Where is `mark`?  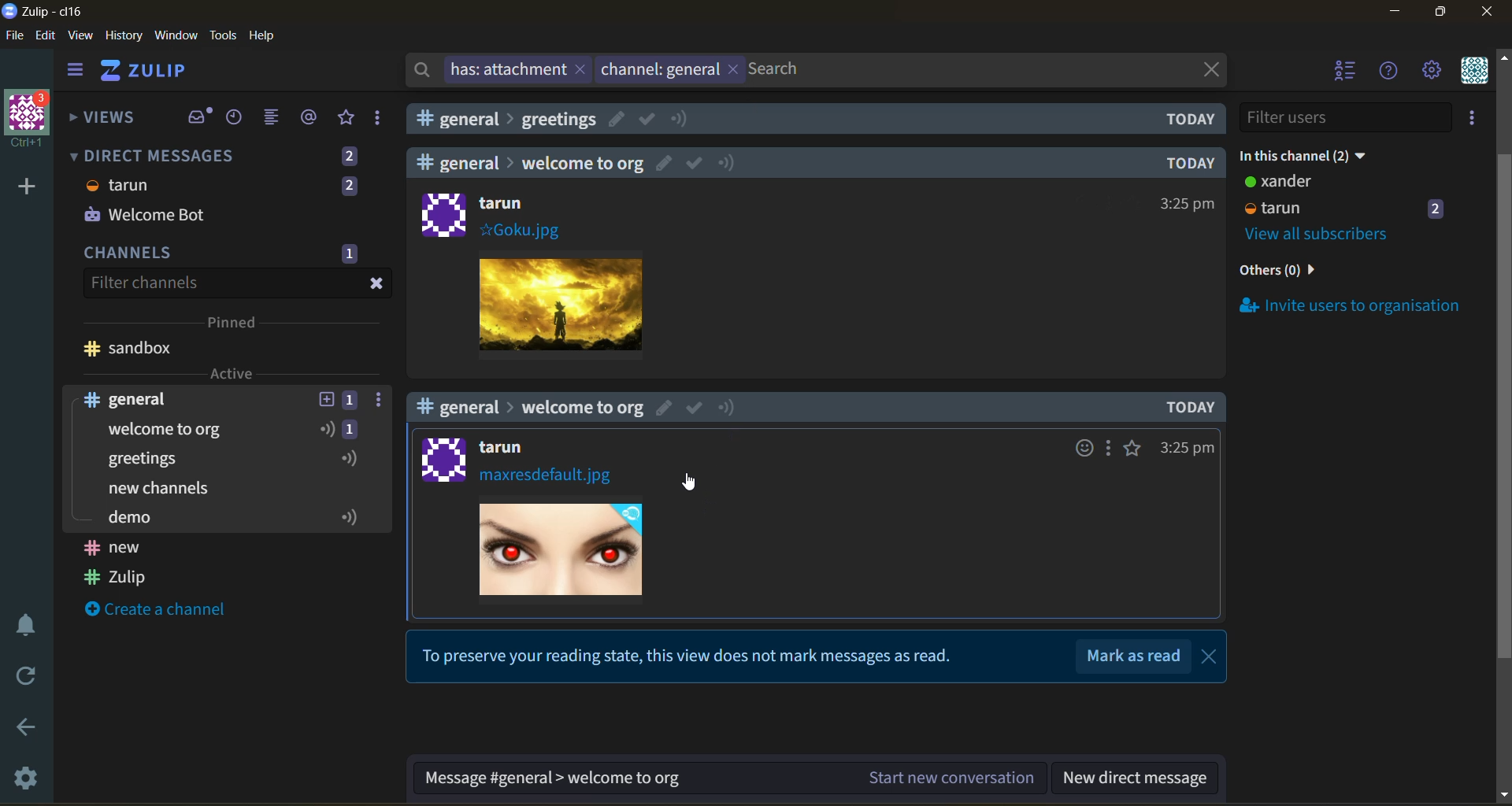
mark is located at coordinates (695, 165).